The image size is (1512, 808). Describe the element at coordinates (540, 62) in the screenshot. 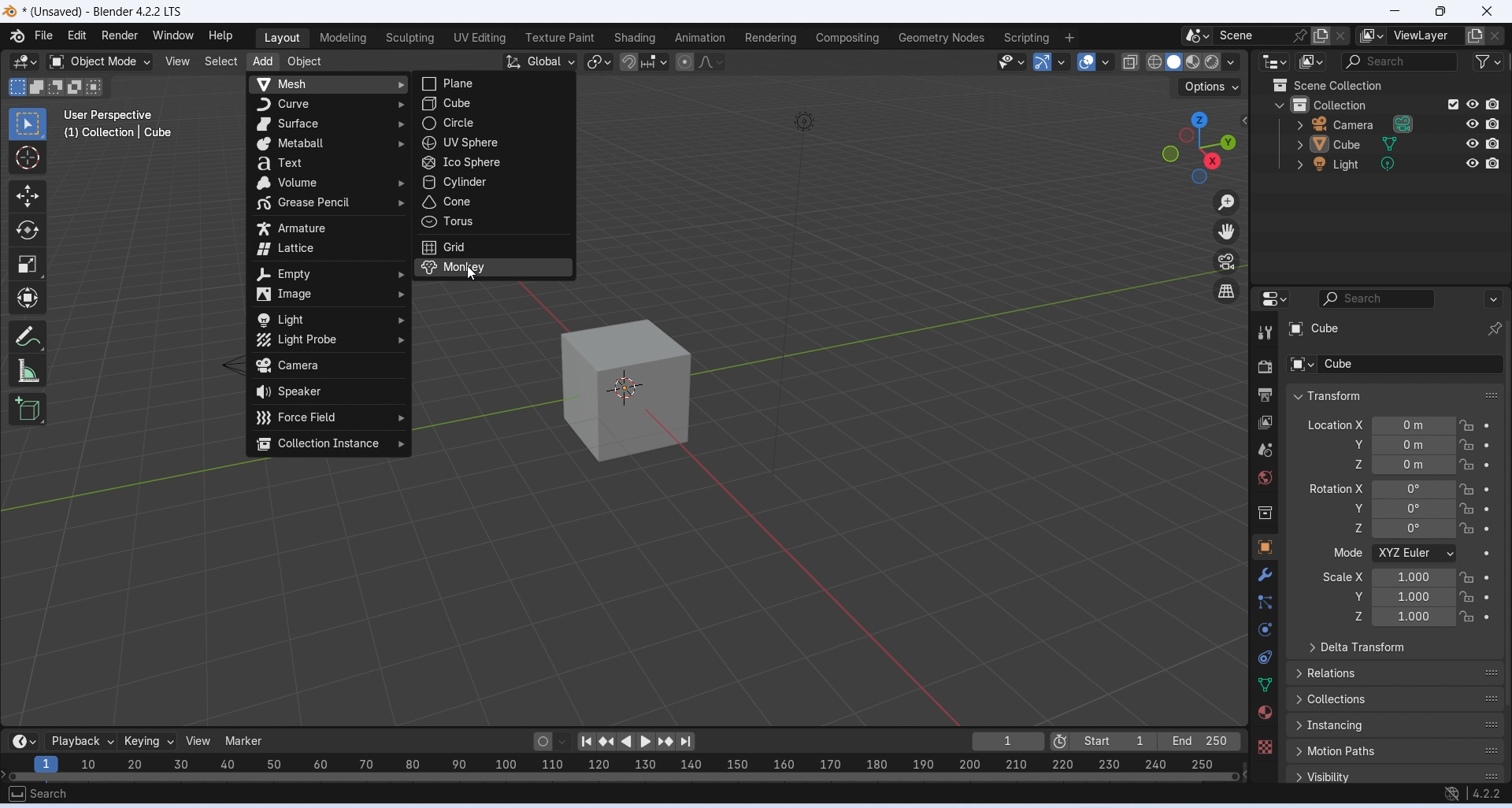

I see `transform orientation` at that location.